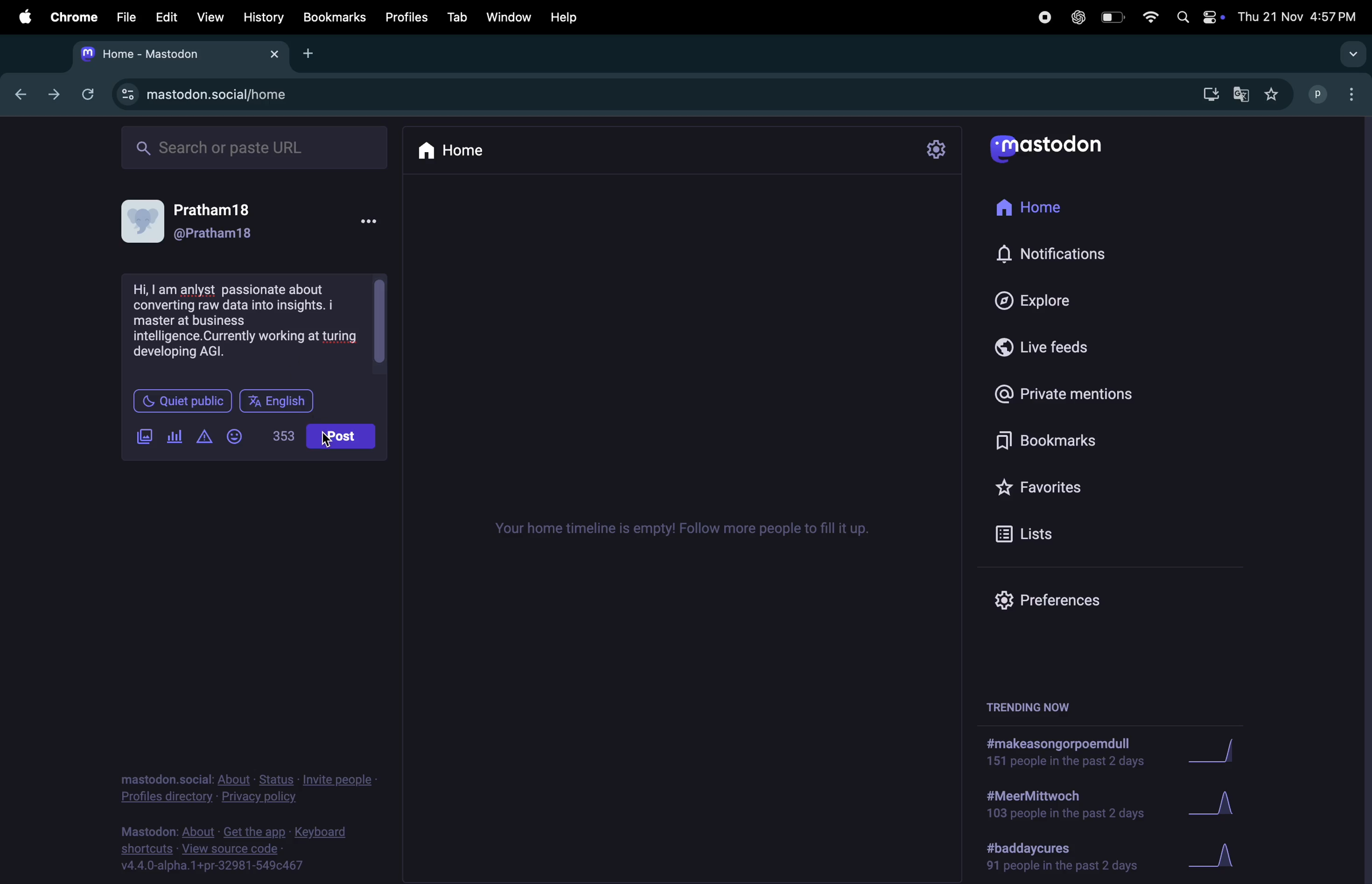  I want to click on treding now, so click(1030, 707).